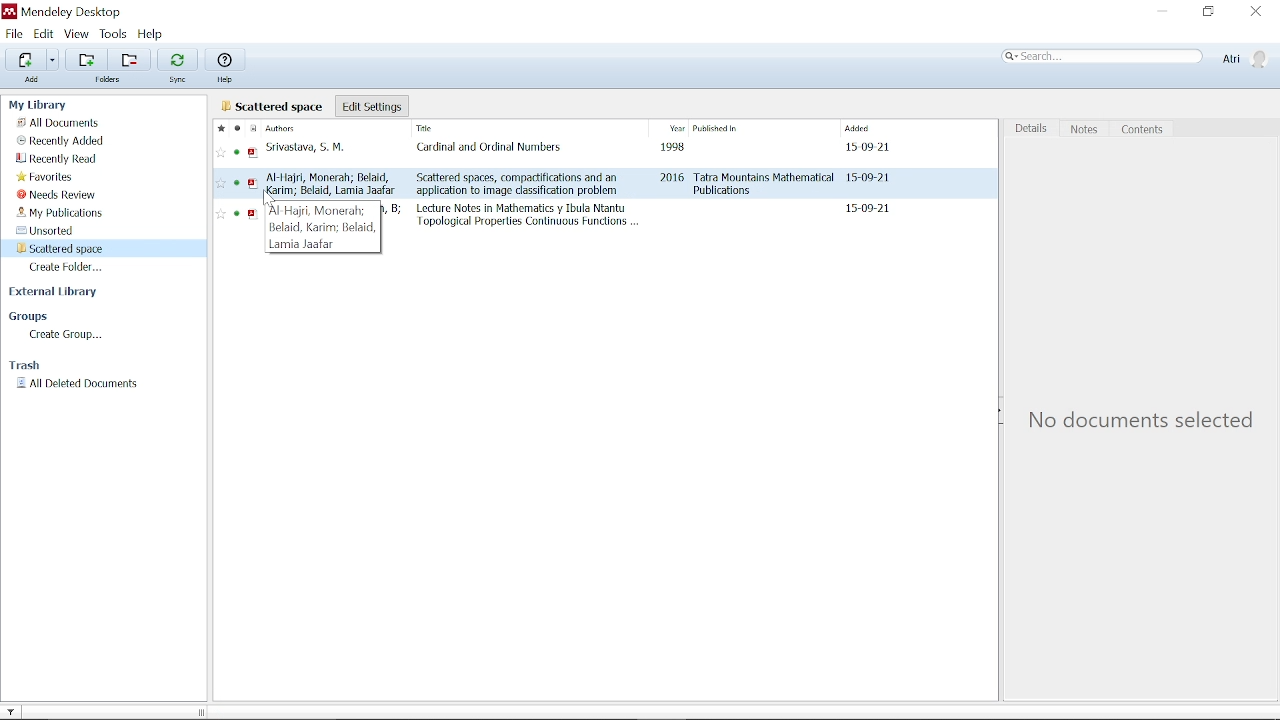 This screenshot has width=1280, height=720. Describe the element at coordinates (112, 81) in the screenshot. I see `folders` at that location.